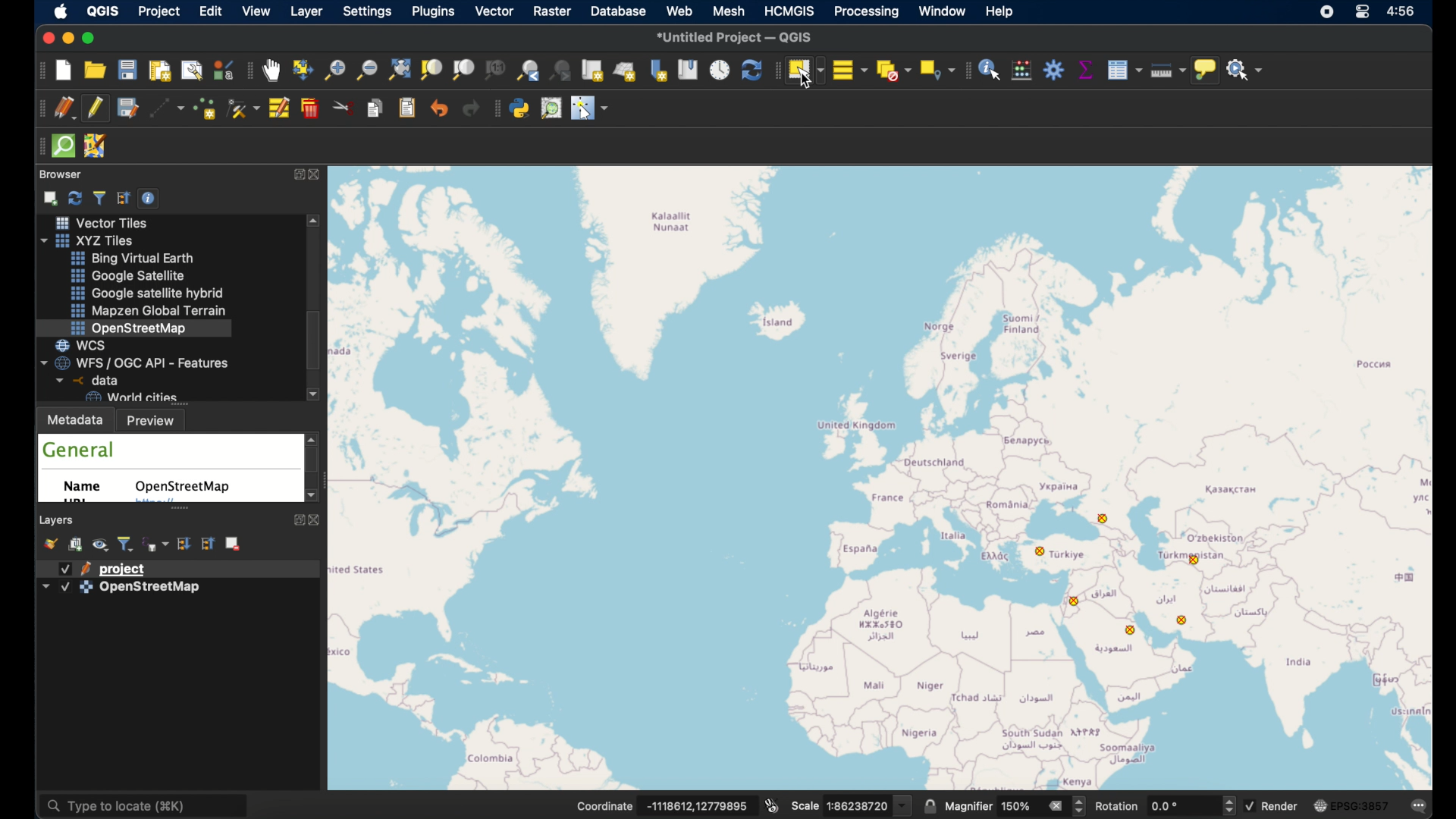 The height and width of the screenshot is (819, 1456). I want to click on drag handle, so click(39, 146).